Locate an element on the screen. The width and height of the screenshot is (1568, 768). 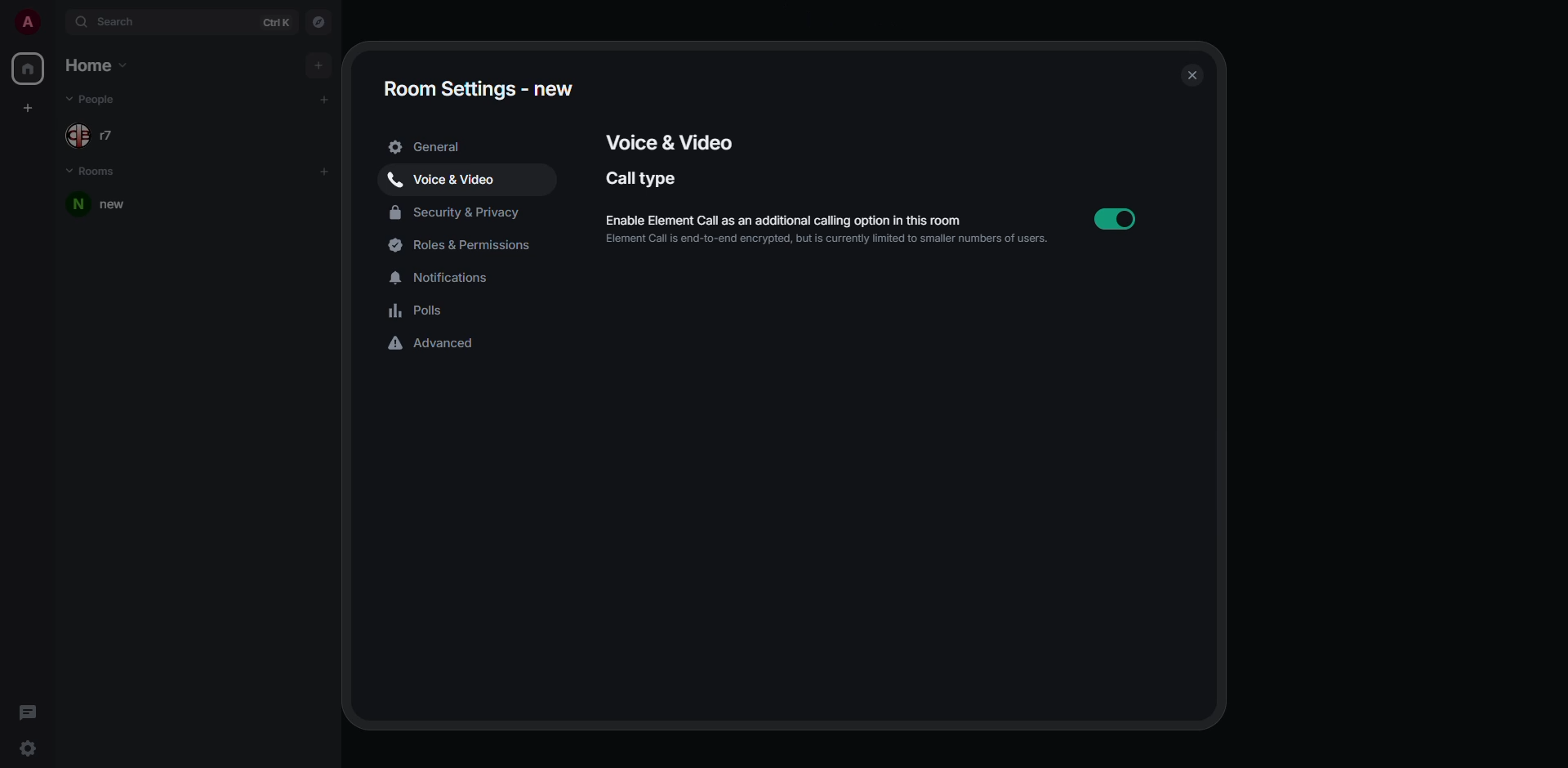
room options is located at coordinates (304, 204).